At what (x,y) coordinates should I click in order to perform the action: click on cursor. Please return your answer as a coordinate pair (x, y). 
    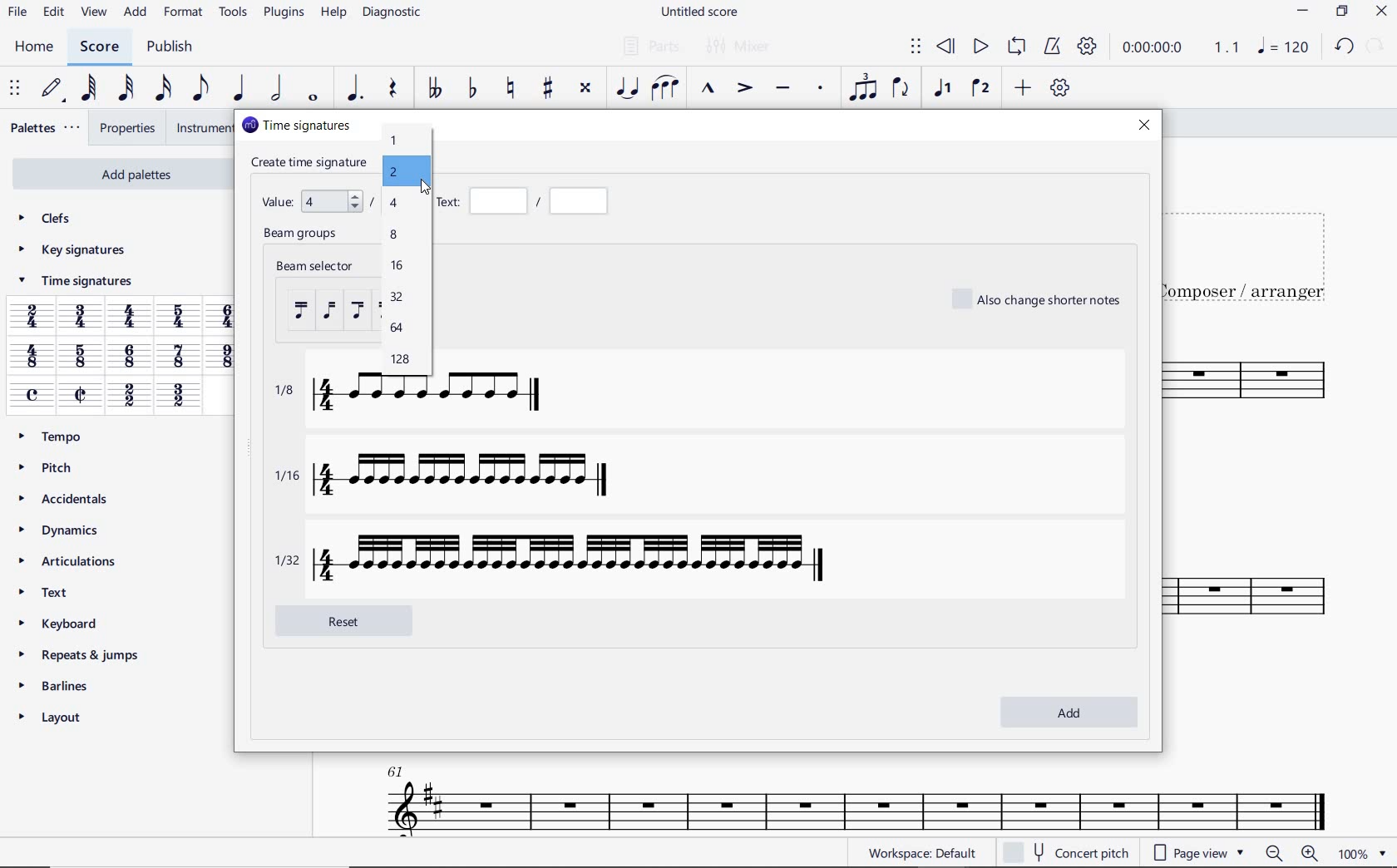
    Looking at the image, I should click on (425, 190).